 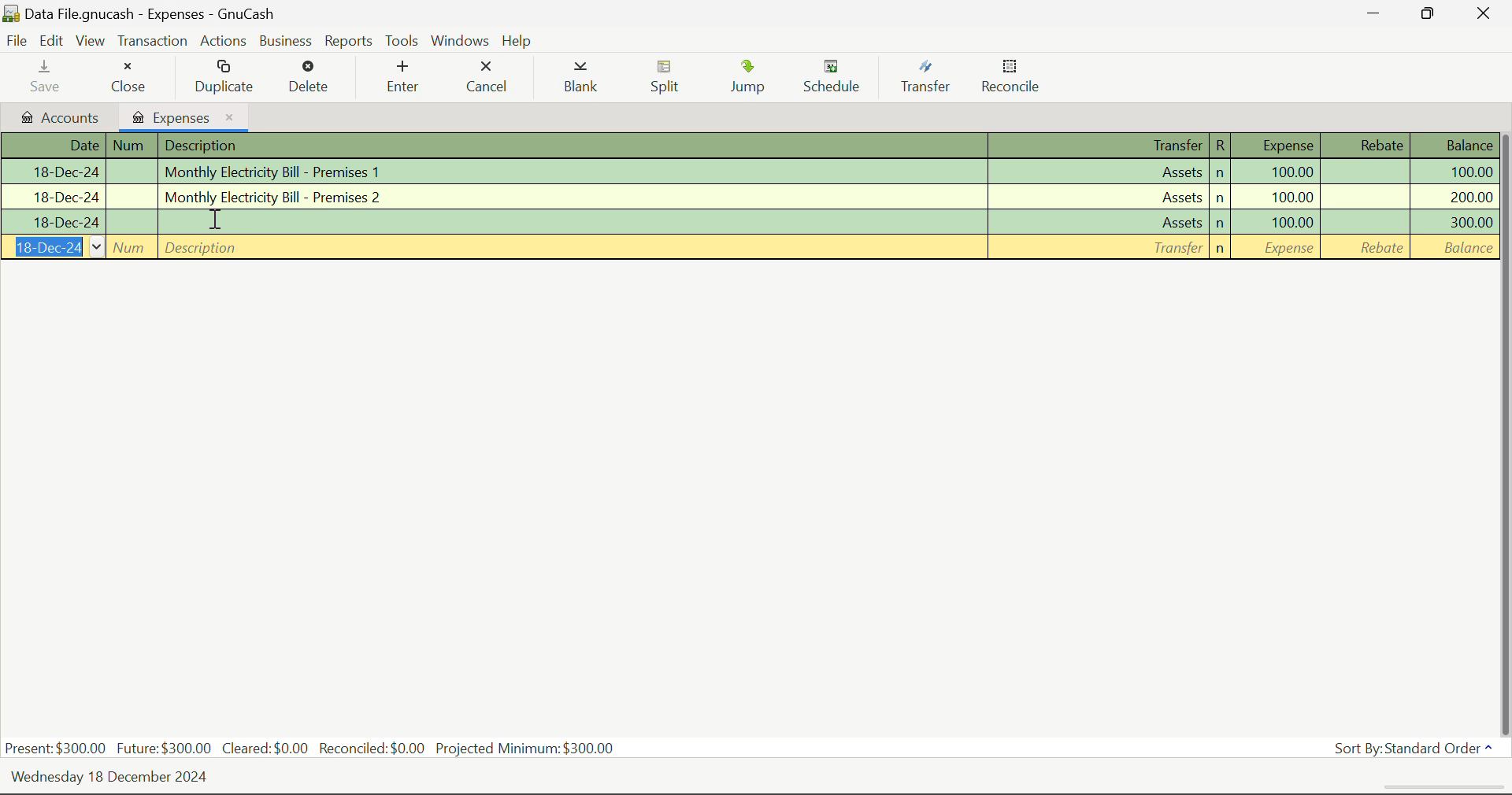 I want to click on Cancel, so click(x=491, y=79).